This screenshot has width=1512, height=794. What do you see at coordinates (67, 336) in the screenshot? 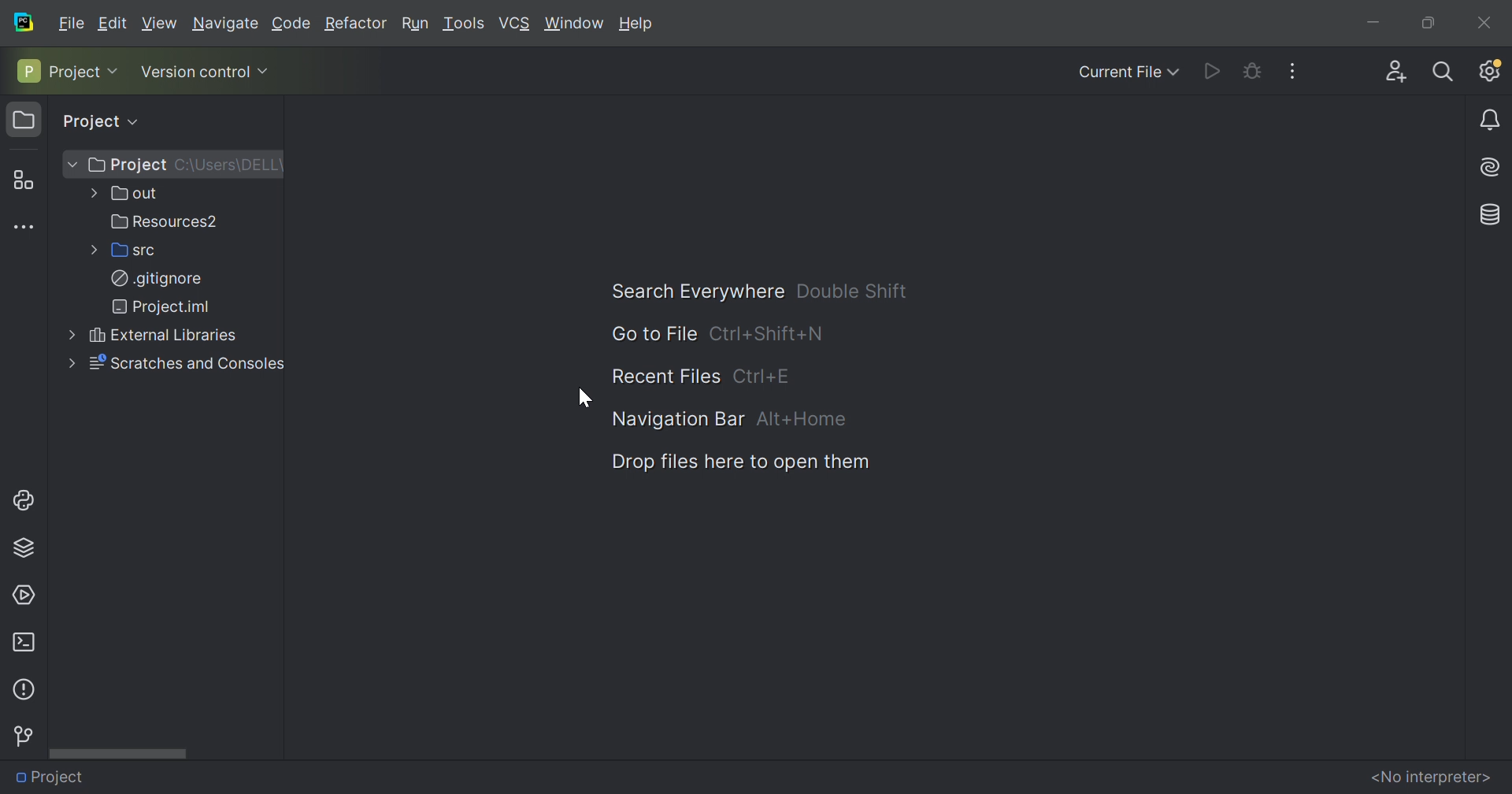
I see `More` at bounding box center [67, 336].